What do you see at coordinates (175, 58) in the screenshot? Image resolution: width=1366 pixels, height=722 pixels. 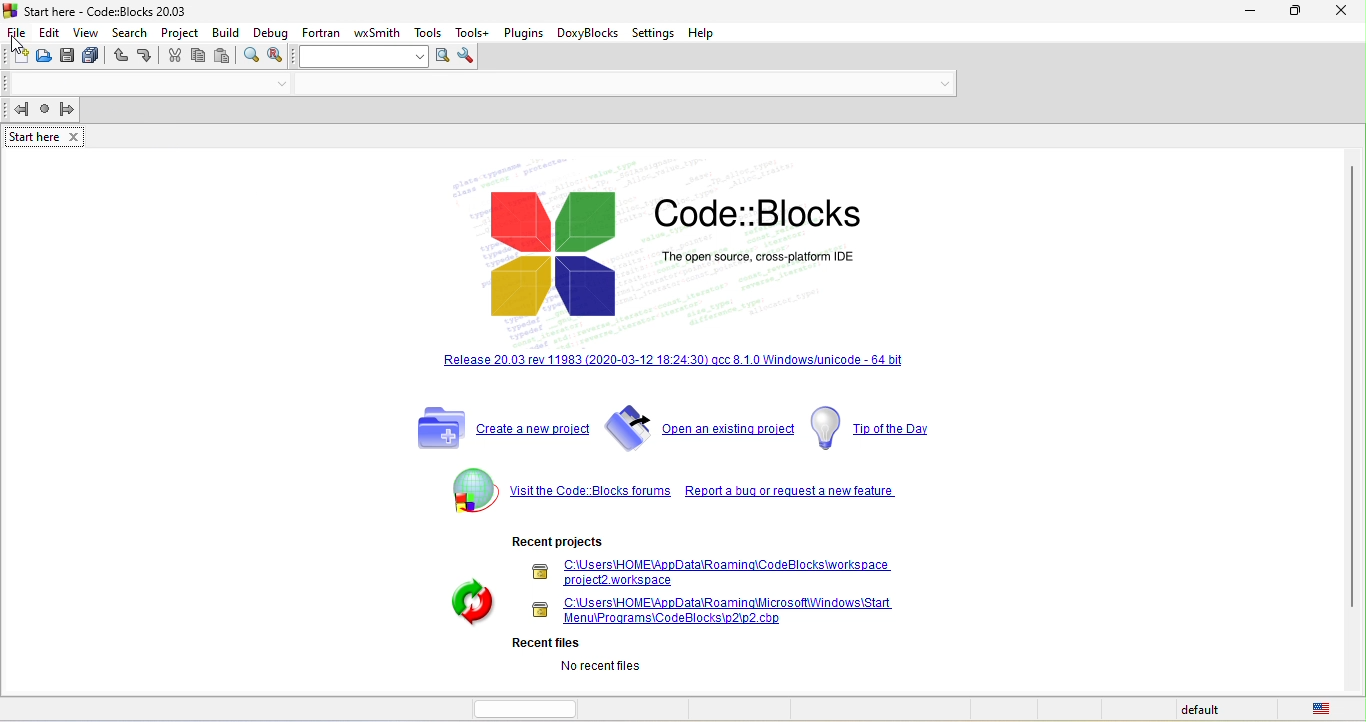 I see `cut` at bounding box center [175, 58].